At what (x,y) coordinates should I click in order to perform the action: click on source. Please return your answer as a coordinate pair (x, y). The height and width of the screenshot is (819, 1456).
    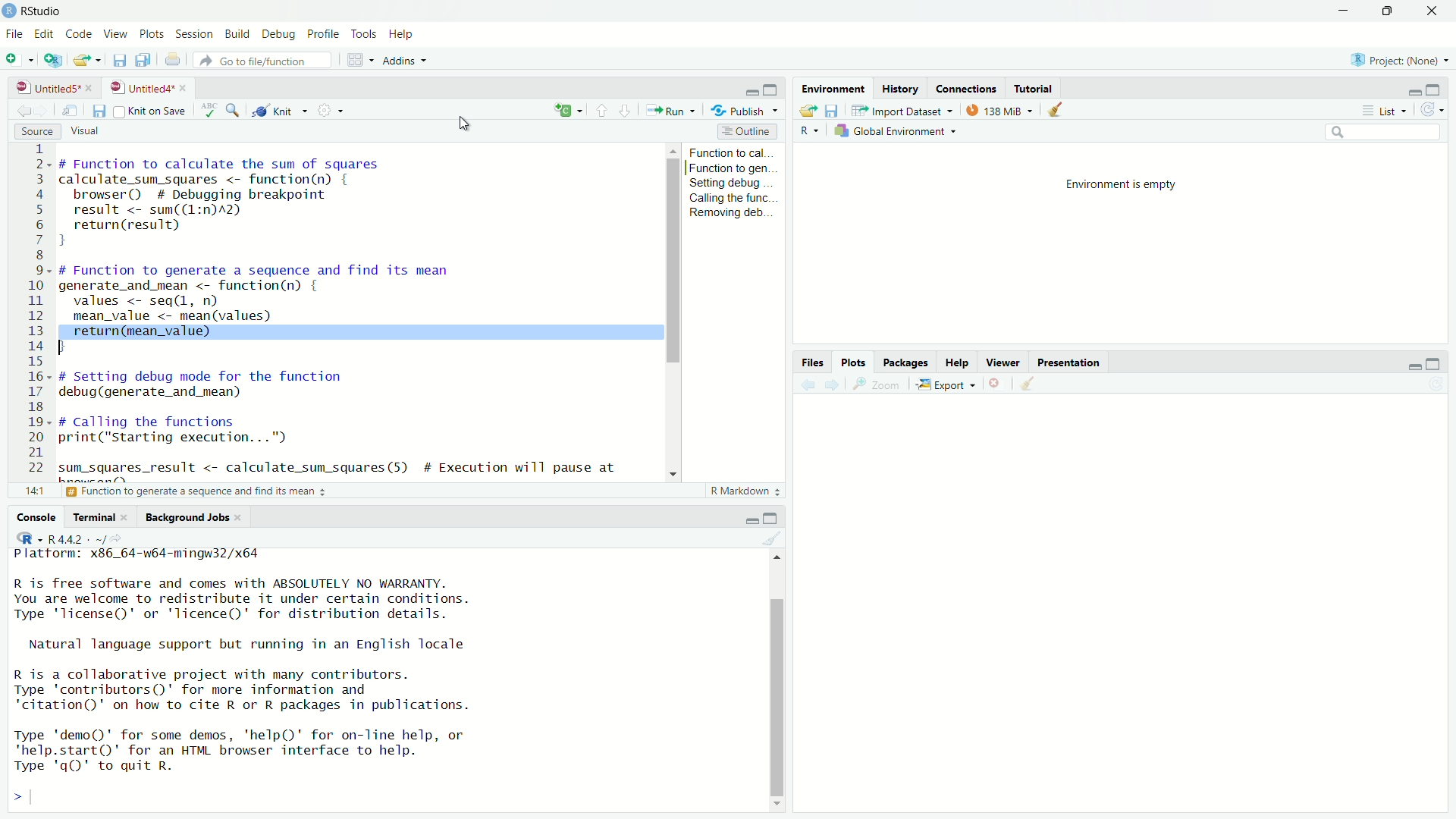
    Looking at the image, I should click on (36, 132).